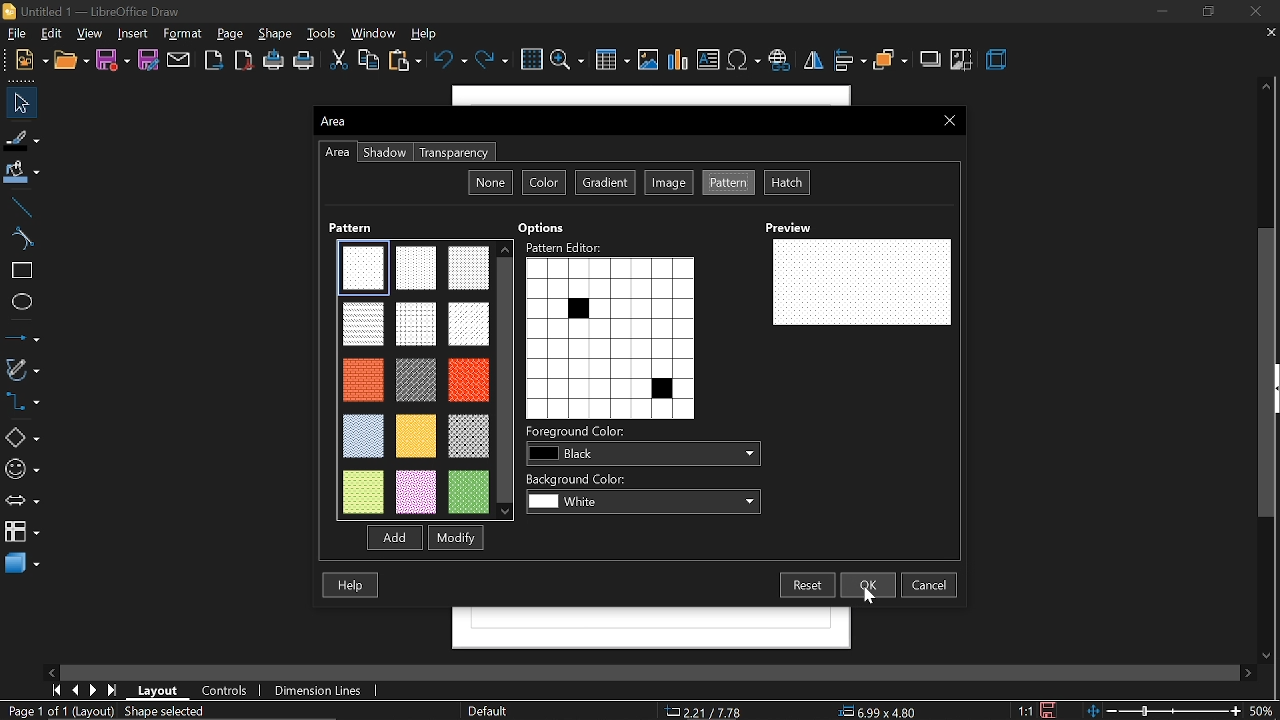 The image size is (1280, 720). What do you see at coordinates (74, 691) in the screenshot?
I see `previous page` at bounding box center [74, 691].